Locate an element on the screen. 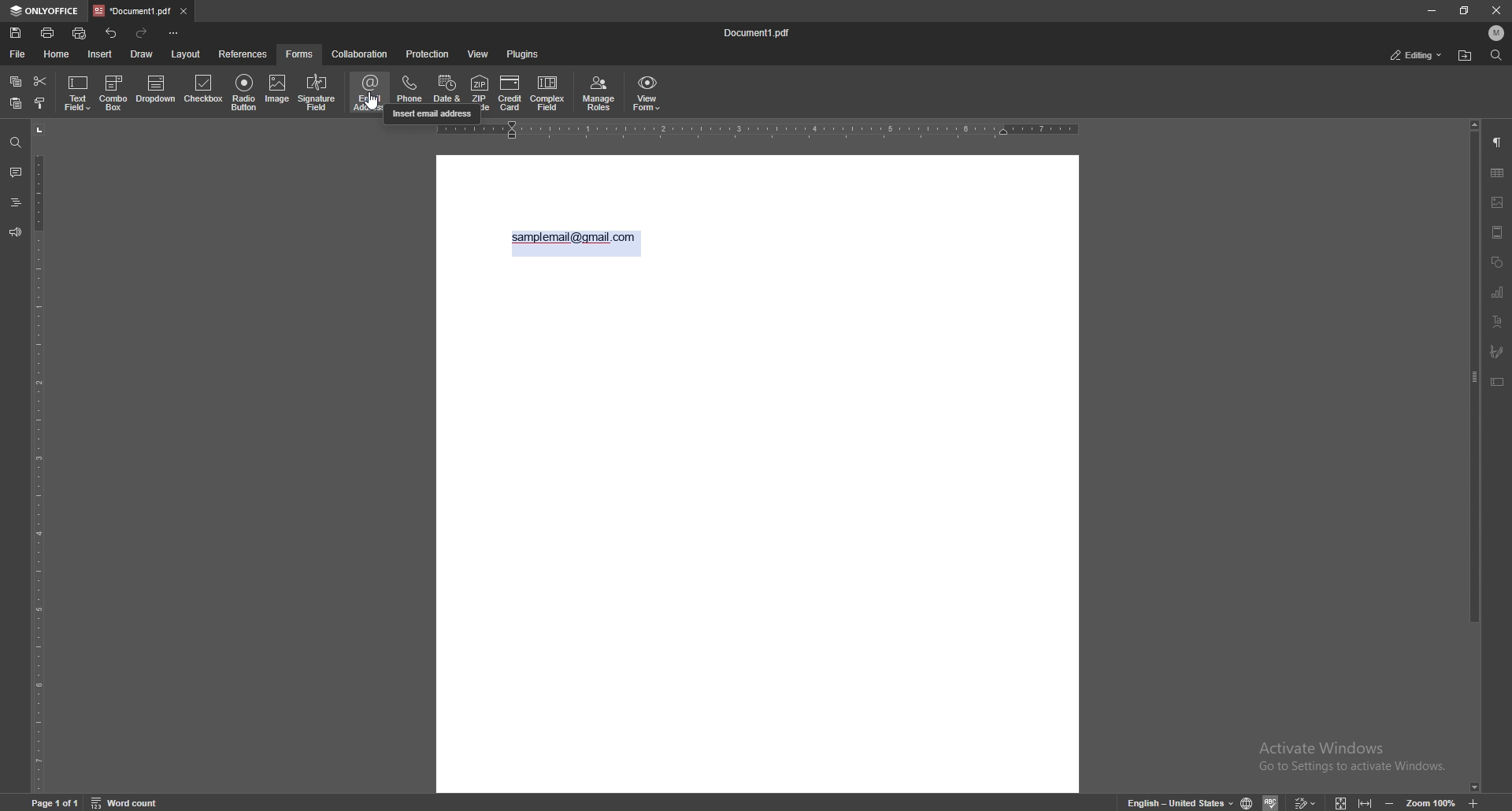 The image size is (1512, 811). page is located at coordinates (55, 802).